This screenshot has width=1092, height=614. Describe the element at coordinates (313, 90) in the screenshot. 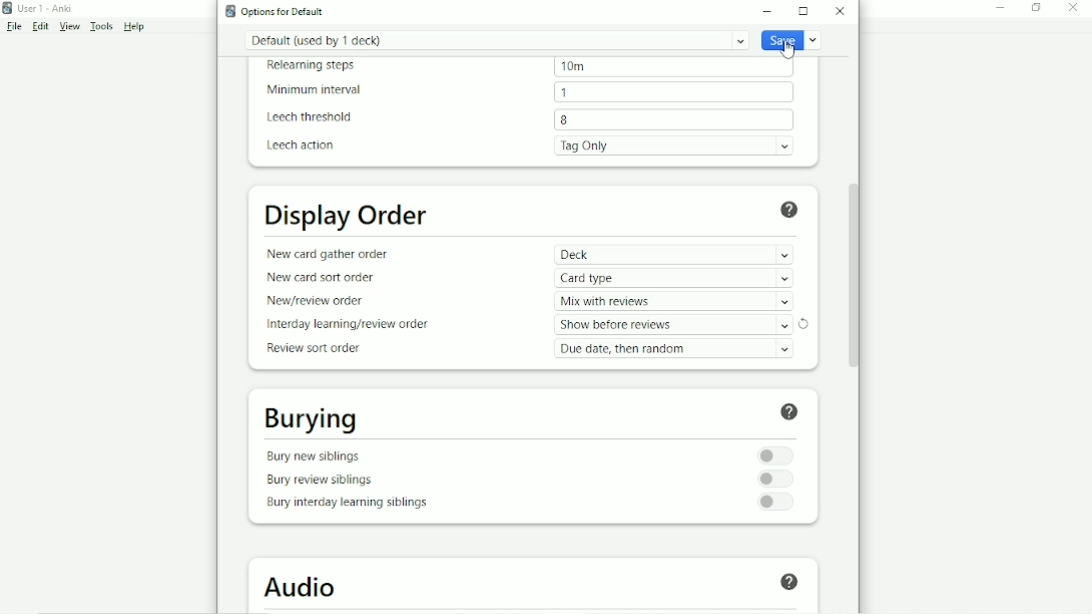

I see `Minimum interval` at that location.